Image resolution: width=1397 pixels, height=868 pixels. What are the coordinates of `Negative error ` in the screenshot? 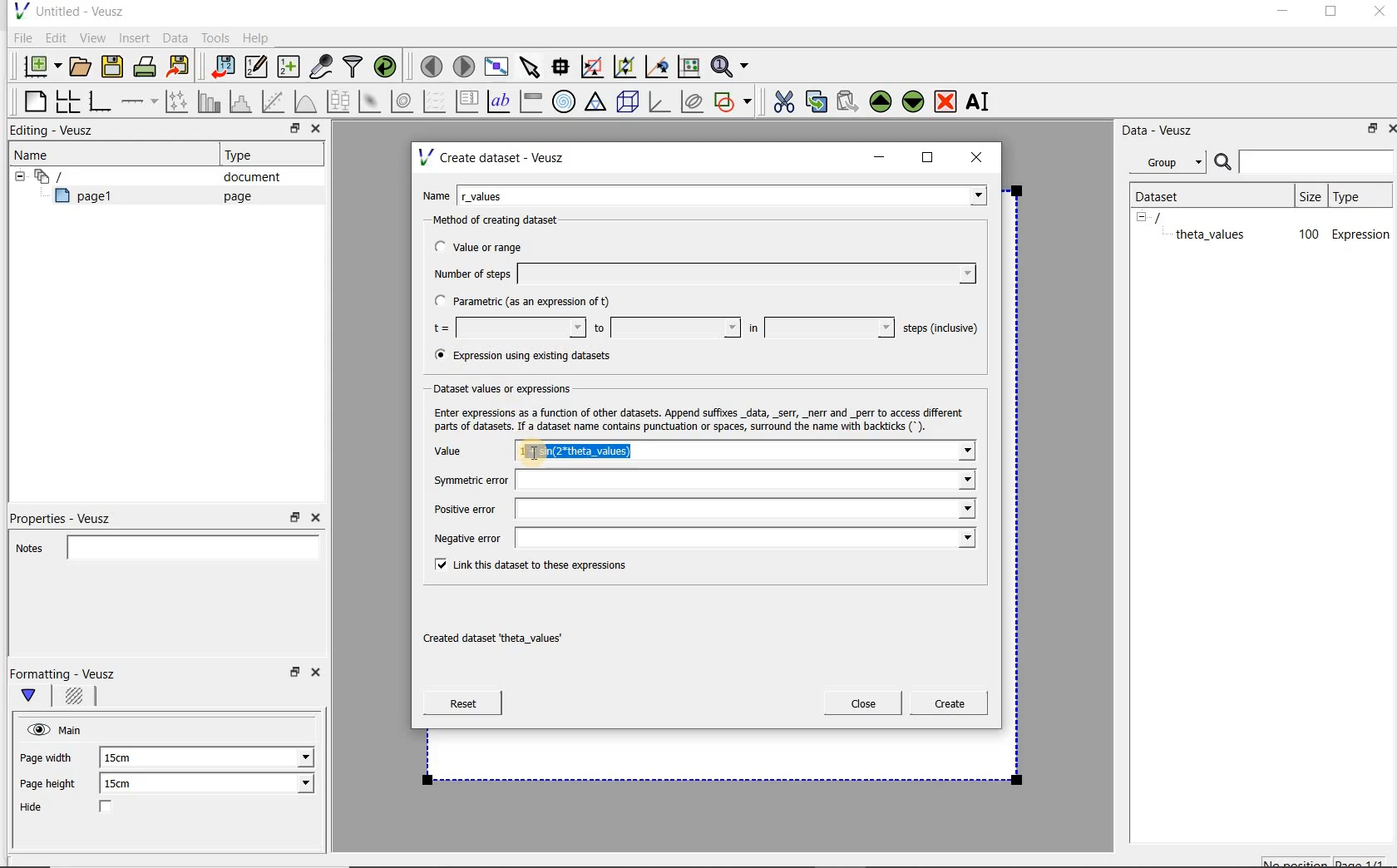 It's located at (697, 537).